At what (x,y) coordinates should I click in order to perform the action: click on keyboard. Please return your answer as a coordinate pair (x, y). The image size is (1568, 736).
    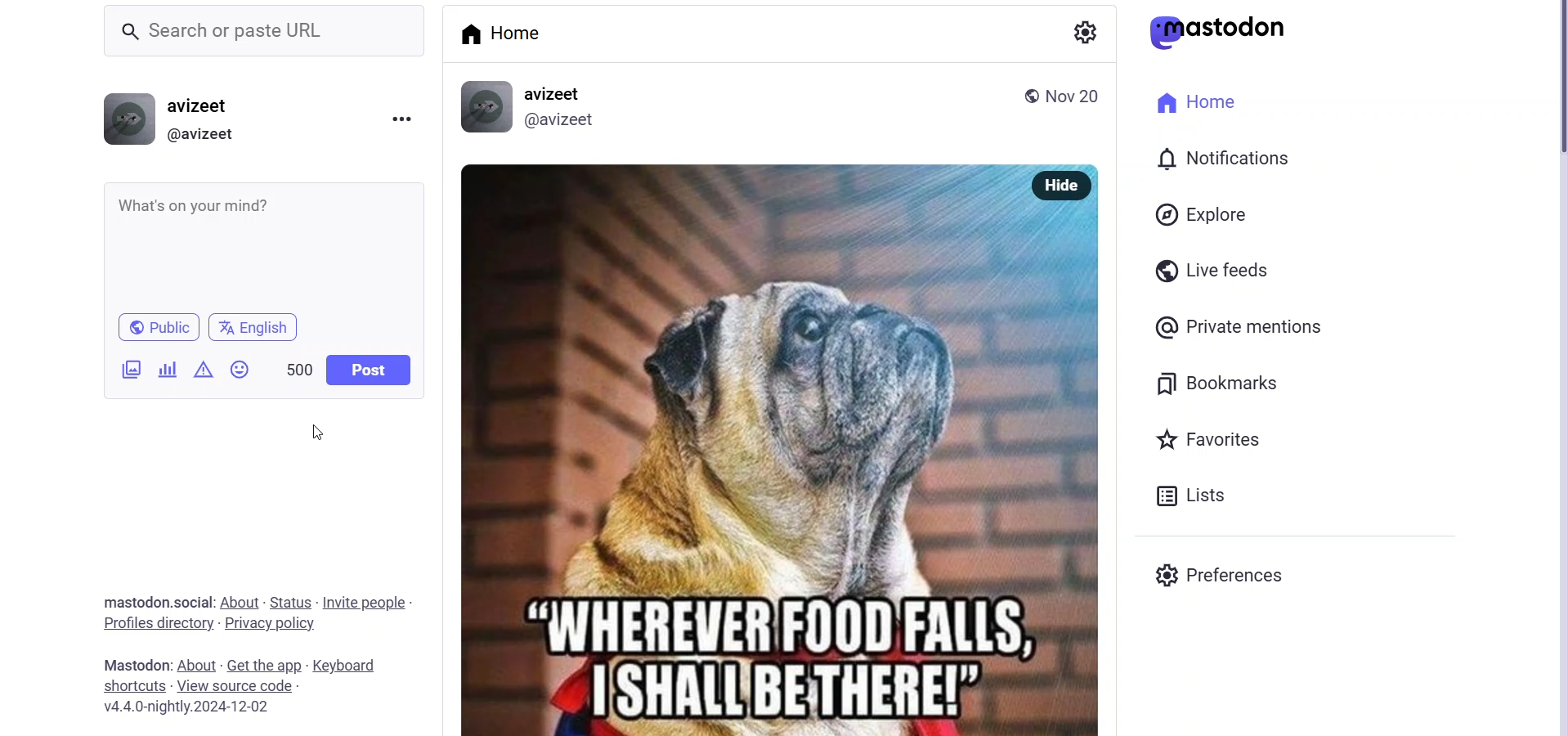
    Looking at the image, I should click on (353, 663).